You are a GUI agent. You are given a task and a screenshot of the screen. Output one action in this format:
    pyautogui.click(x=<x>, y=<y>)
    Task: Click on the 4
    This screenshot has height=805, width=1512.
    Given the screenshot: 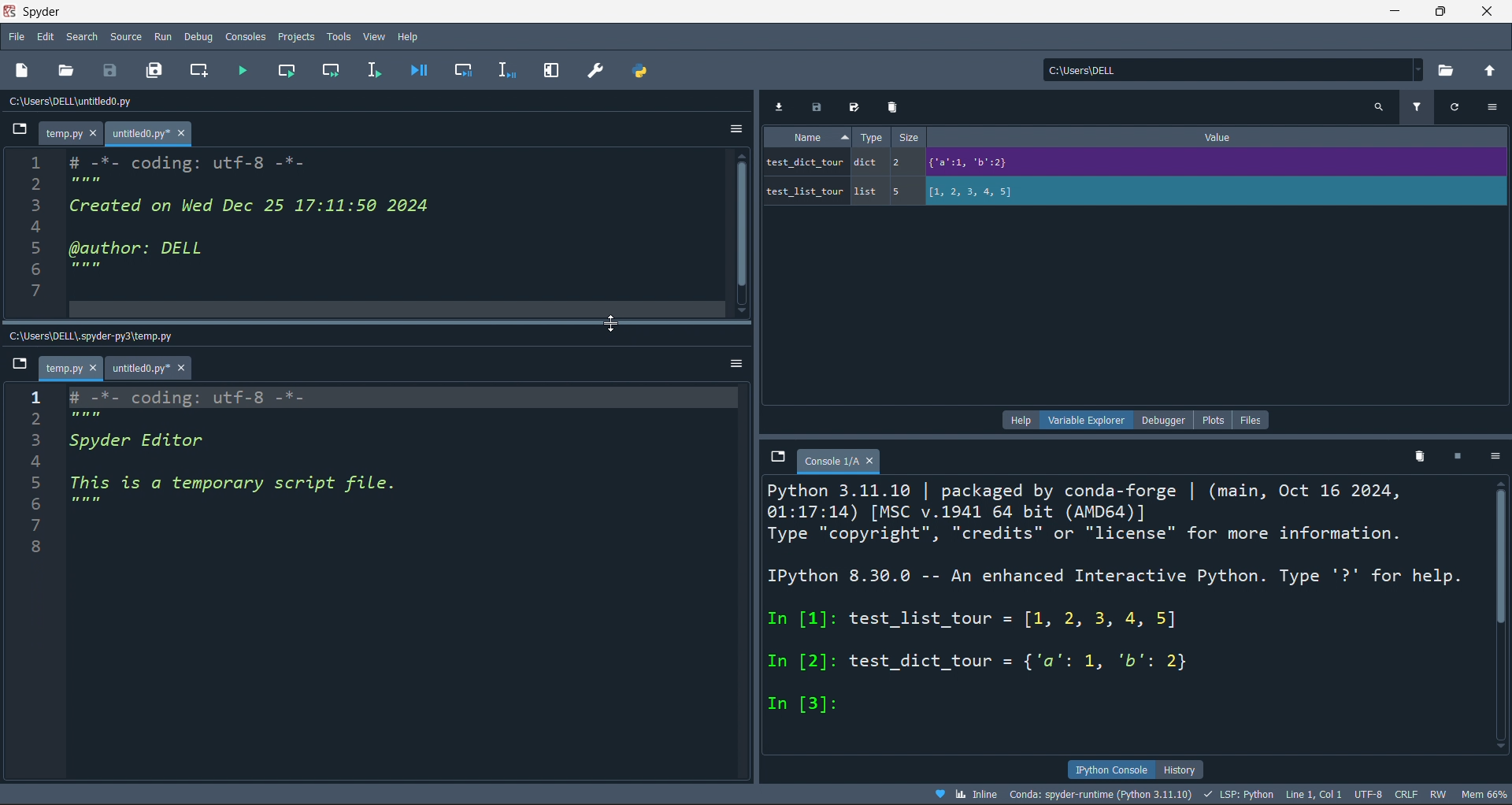 What is the action you would take?
    pyautogui.click(x=87, y=464)
    